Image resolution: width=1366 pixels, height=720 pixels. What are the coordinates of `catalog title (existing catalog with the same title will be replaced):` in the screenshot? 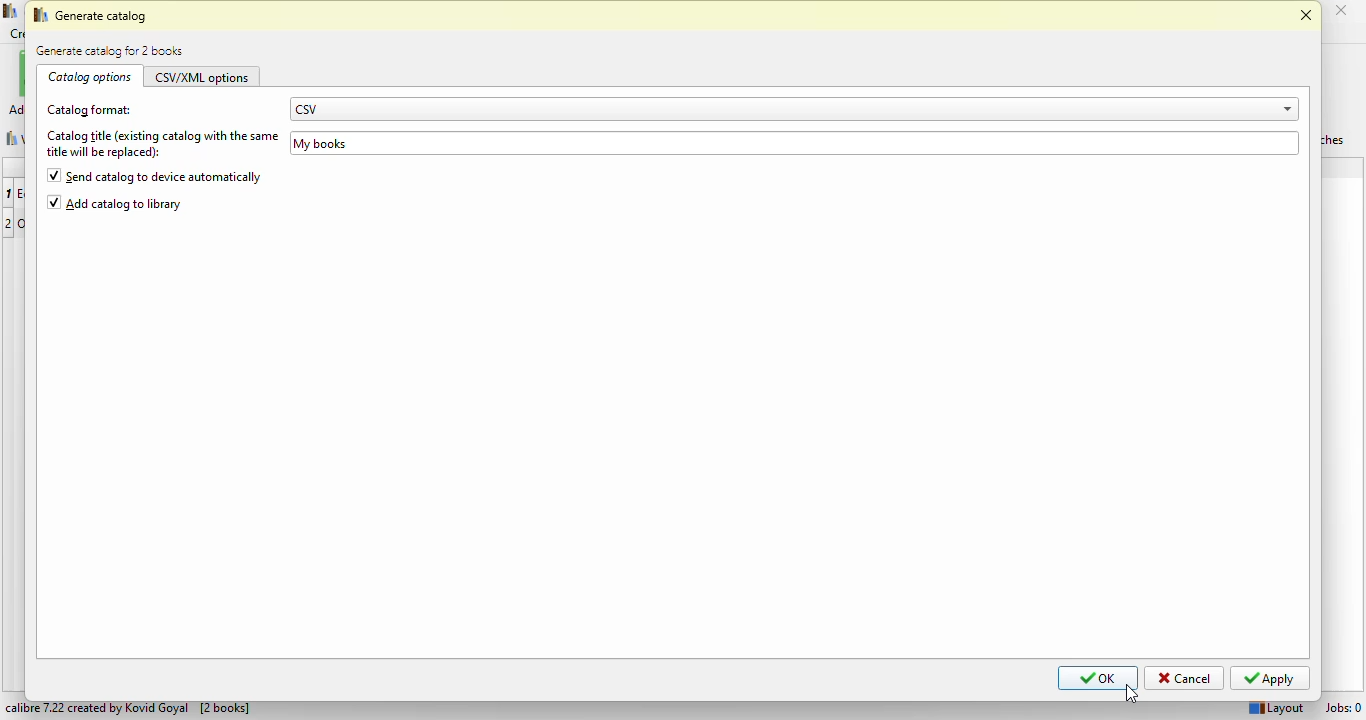 It's located at (164, 143).